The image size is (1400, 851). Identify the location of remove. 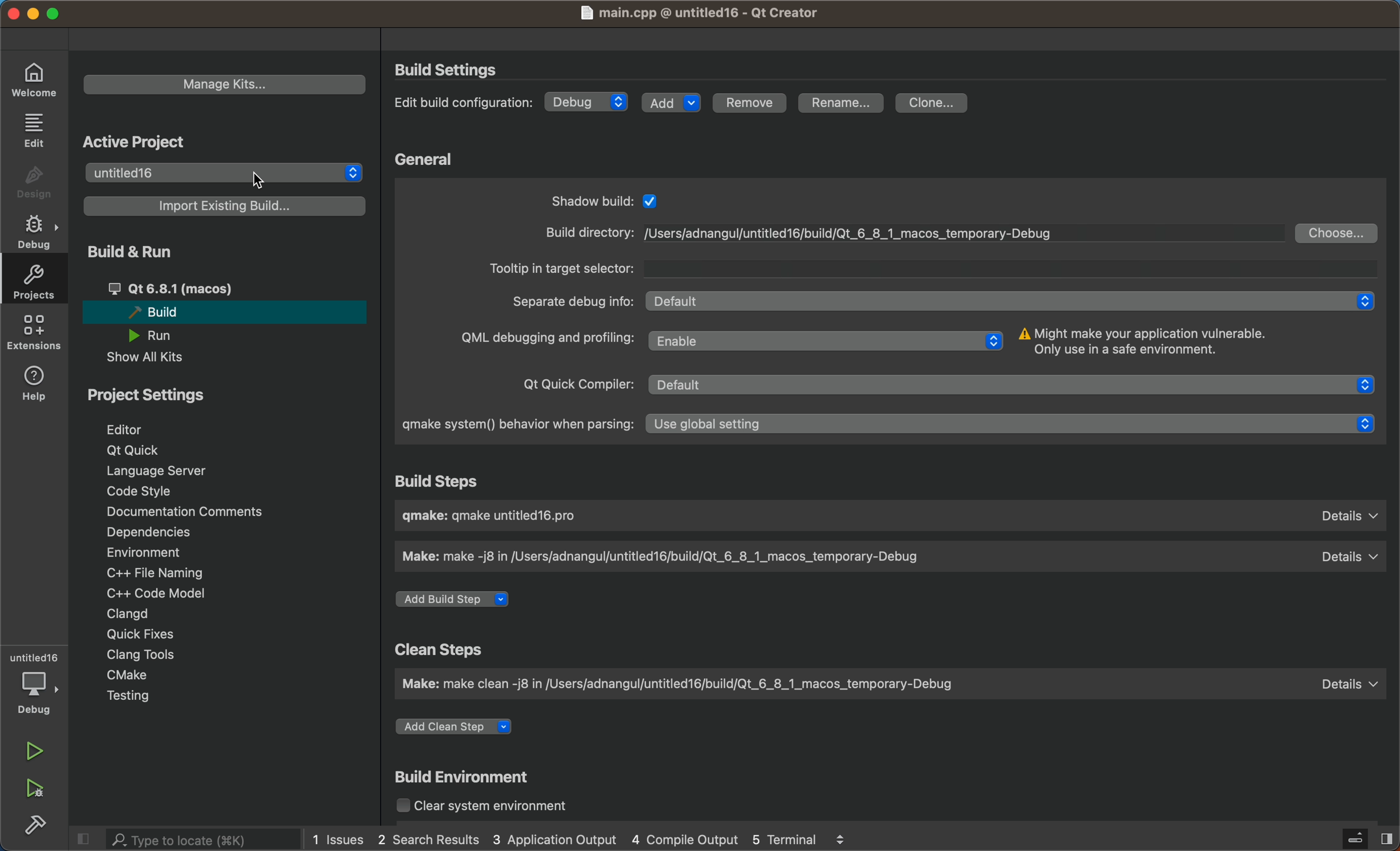
(751, 101).